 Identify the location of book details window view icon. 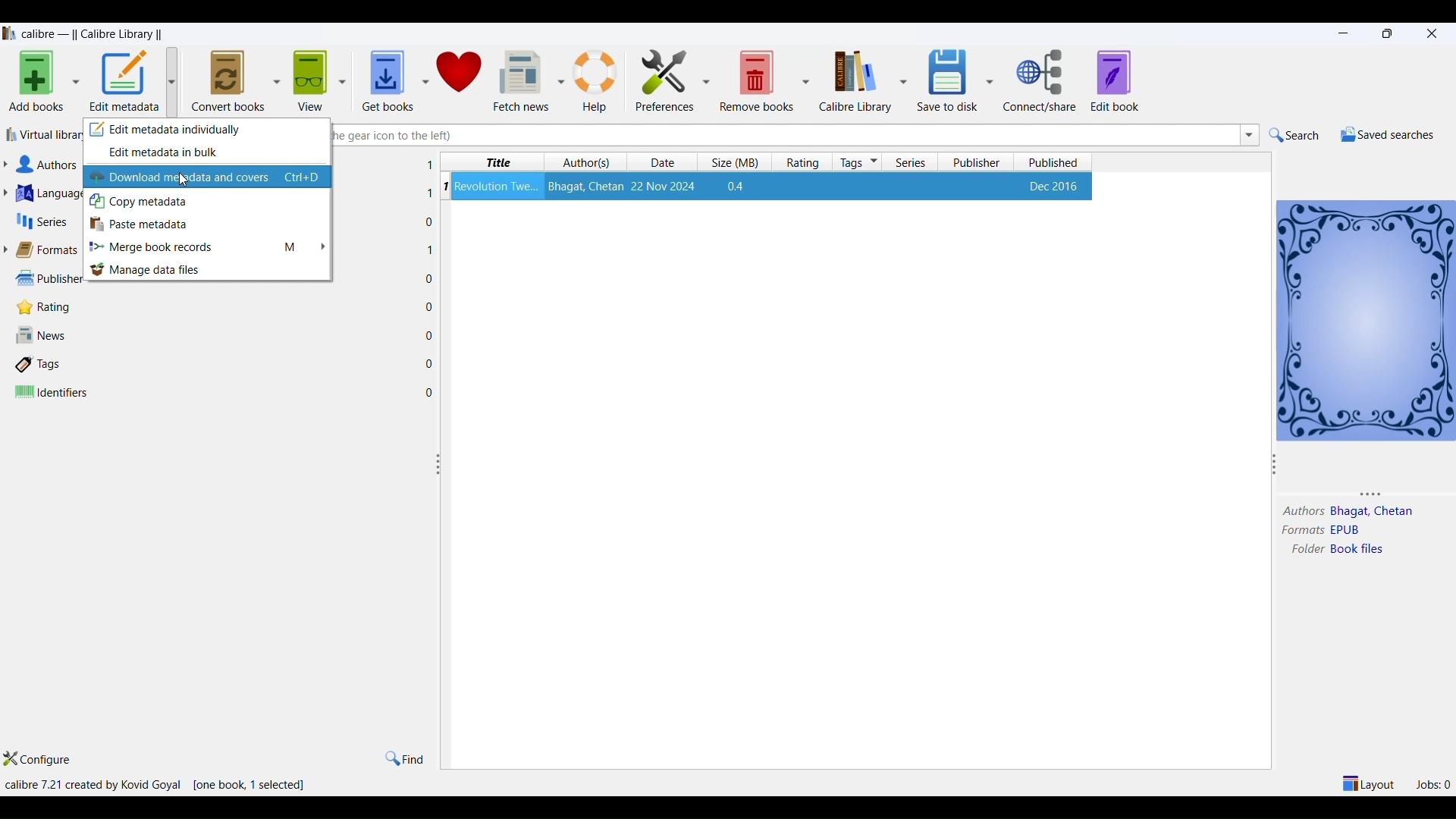
(1366, 318).